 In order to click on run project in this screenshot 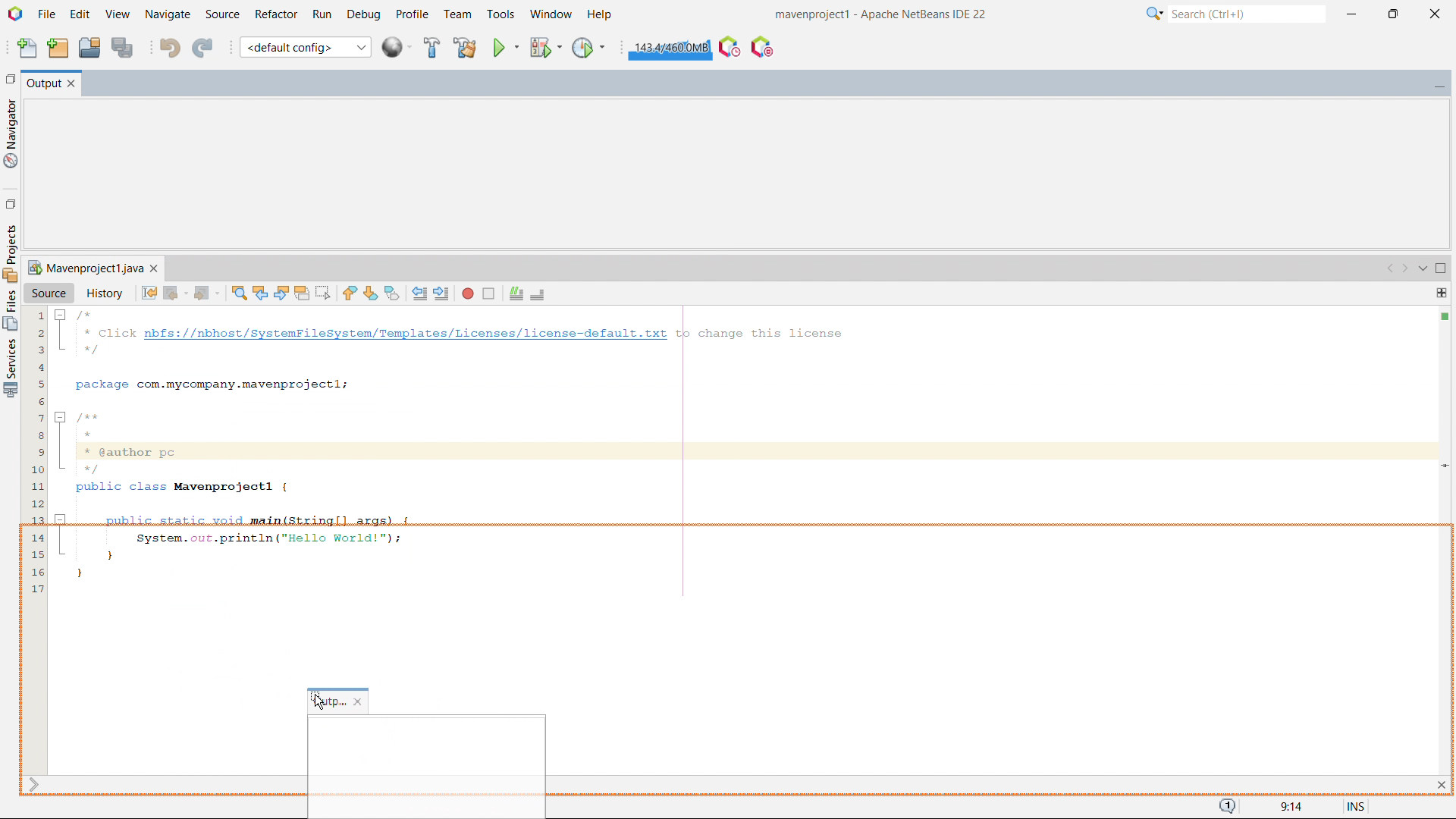, I will do `click(505, 47)`.